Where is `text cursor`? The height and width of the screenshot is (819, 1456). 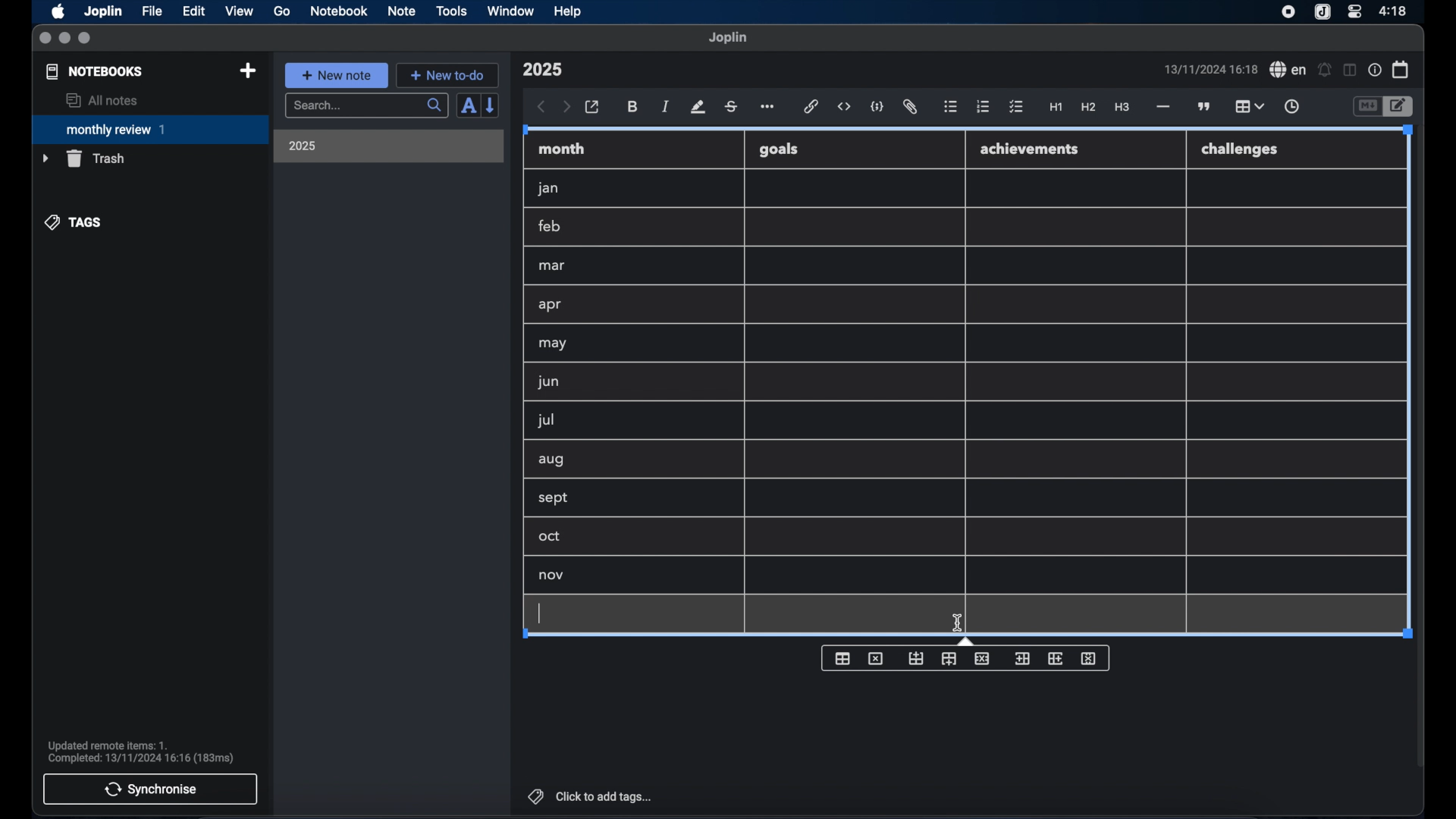
text cursor is located at coordinates (541, 614).